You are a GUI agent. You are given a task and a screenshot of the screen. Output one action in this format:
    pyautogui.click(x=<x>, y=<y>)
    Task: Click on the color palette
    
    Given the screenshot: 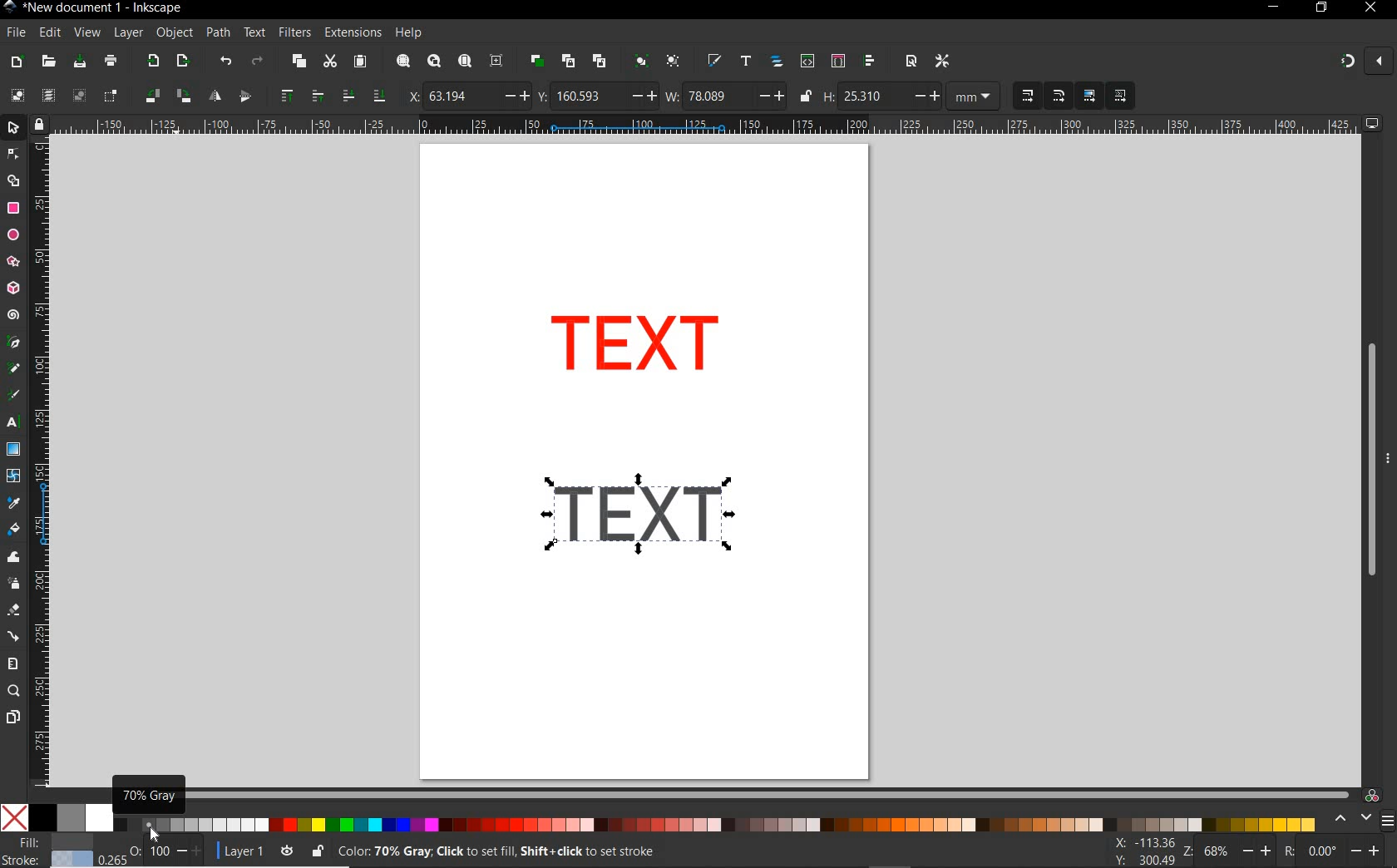 What is the action you would take?
    pyautogui.click(x=659, y=819)
    